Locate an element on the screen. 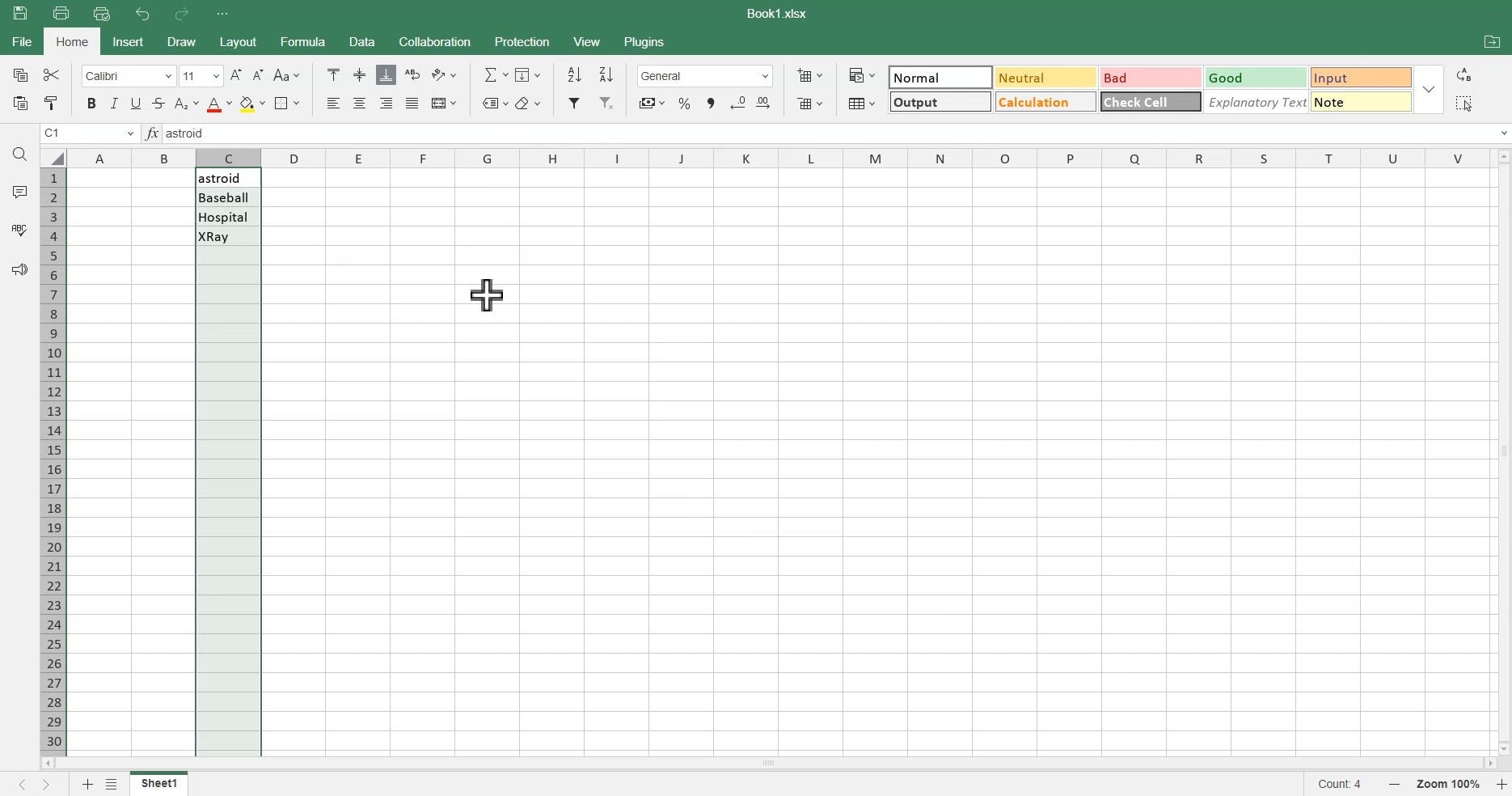 This screenshot has width=1512, height=796. Replace is located at coordinates (1467, 74).